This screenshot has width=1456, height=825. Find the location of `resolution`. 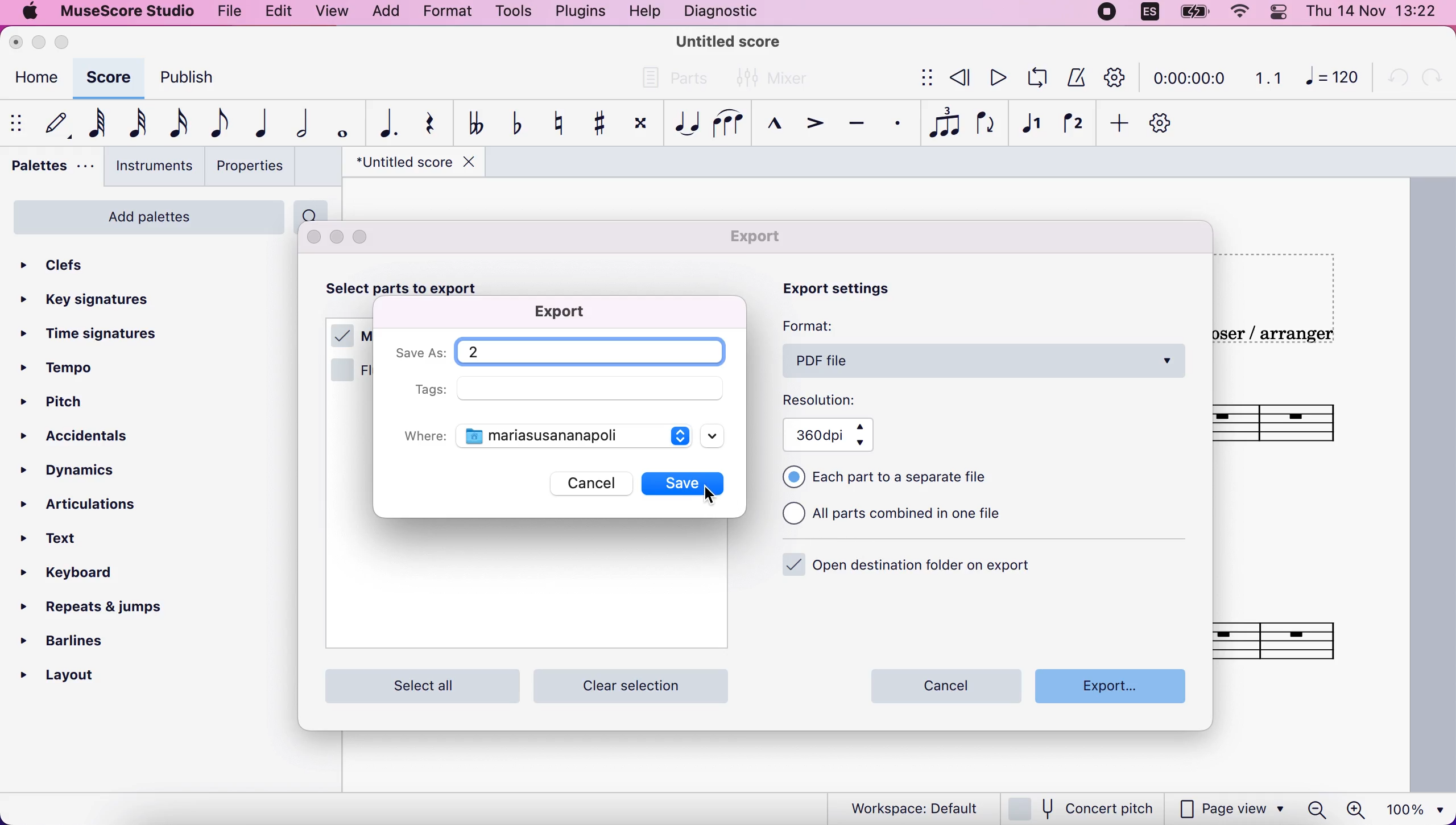

resolution is located at coordinates (828, 400).